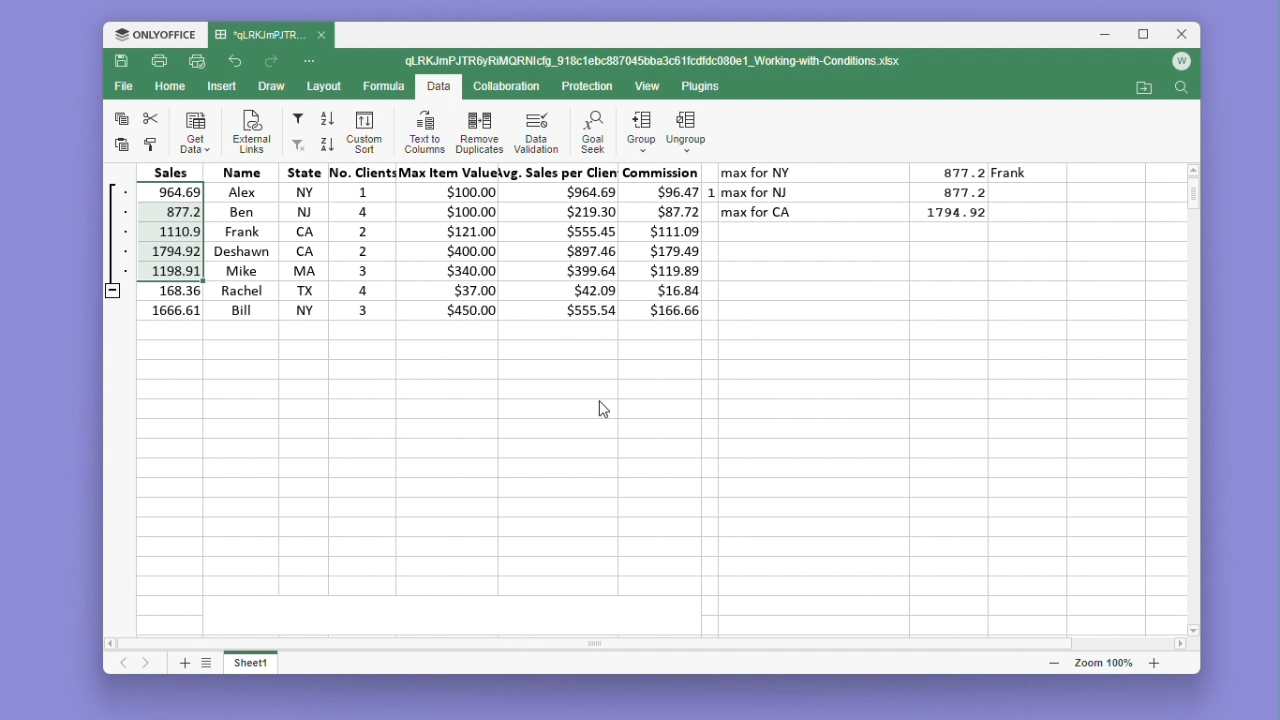 The width and height of the screenshot is (1280, 720). I want to click on file name, so click(271, 36).